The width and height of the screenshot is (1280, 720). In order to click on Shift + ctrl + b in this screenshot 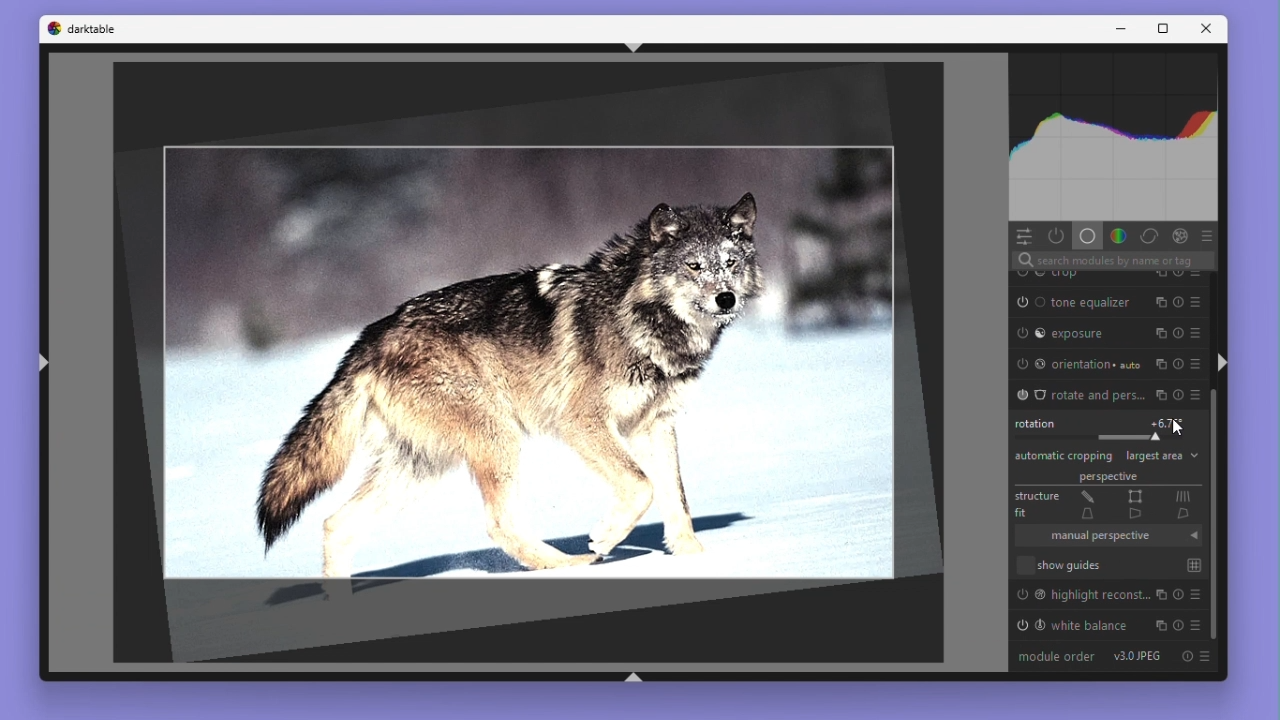, I will do `click(633, 678)`.